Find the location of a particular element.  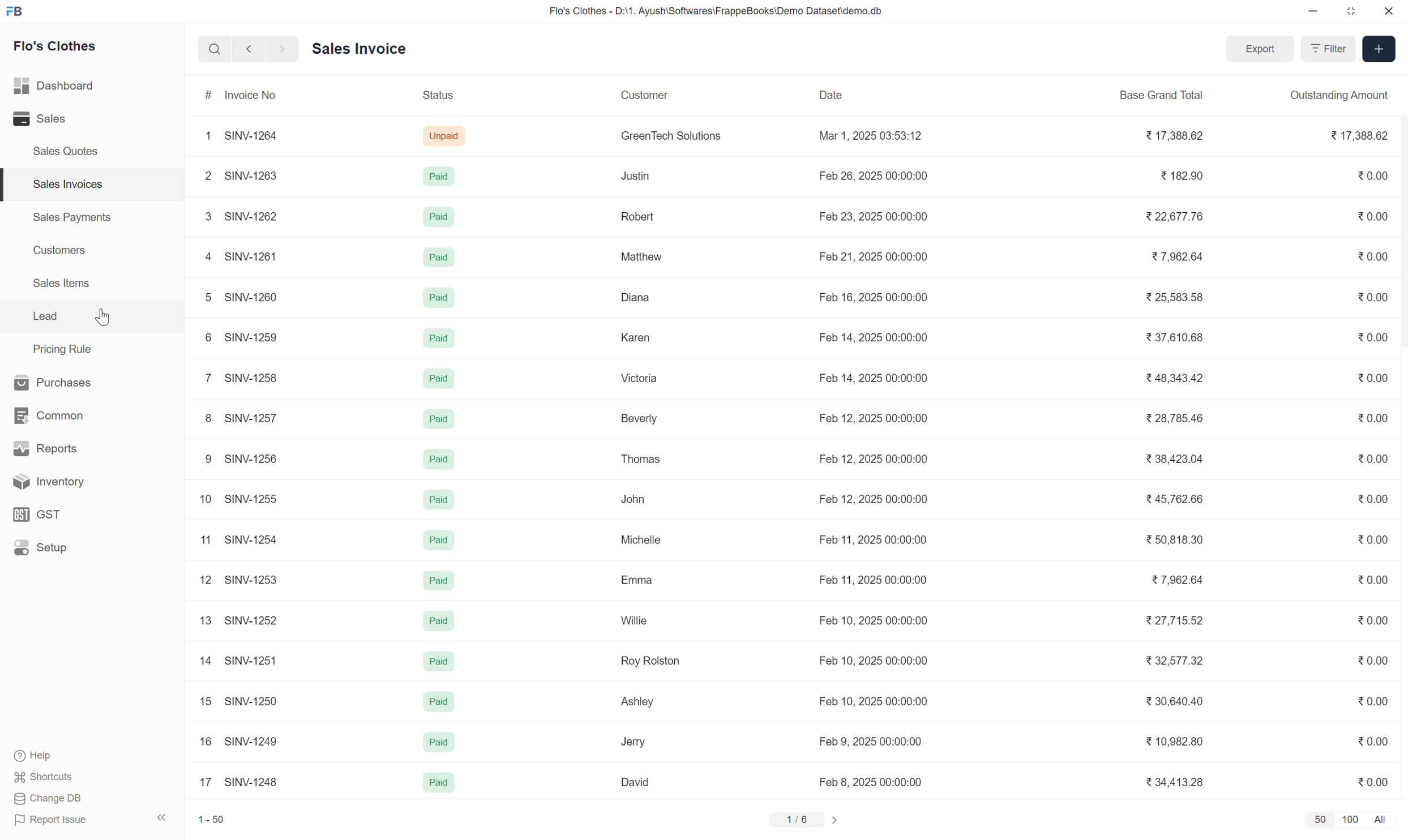

Inventory is located at coordinates (45, 482).